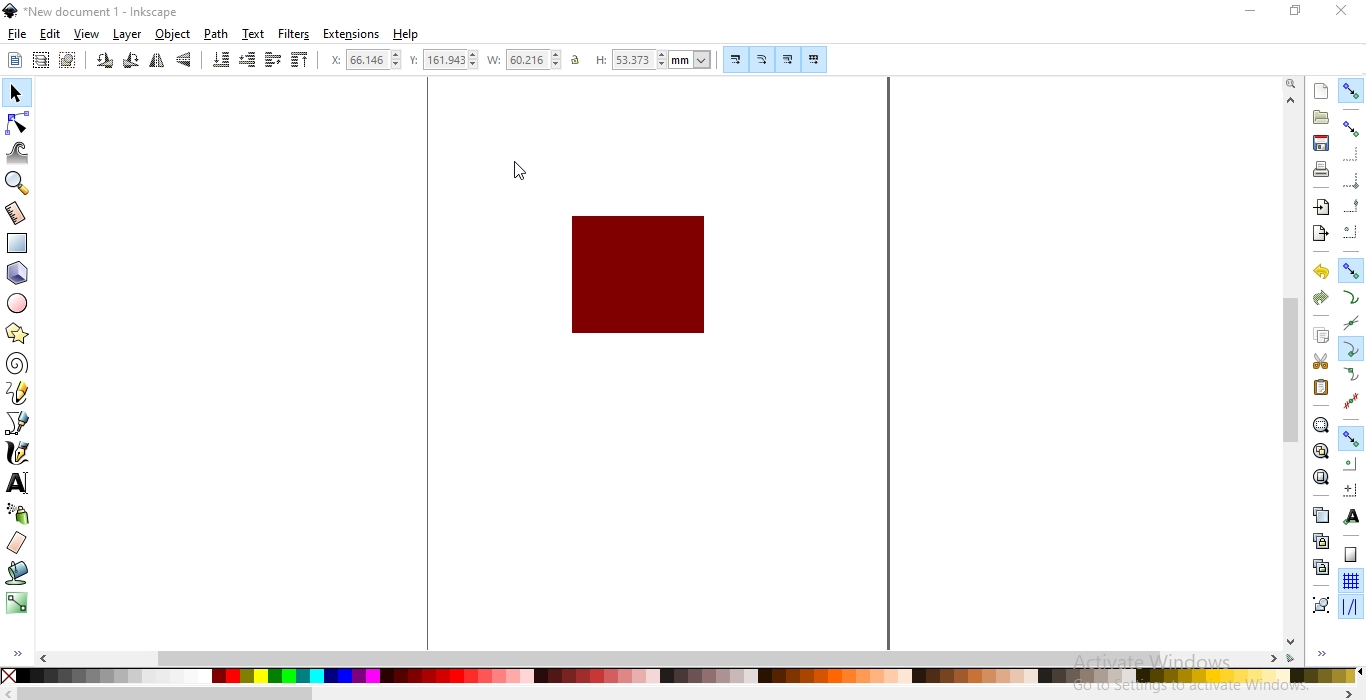  Describe the element at coordinates (1350, 375) in the screenshot. I see `snap smooth nodes` at that location.